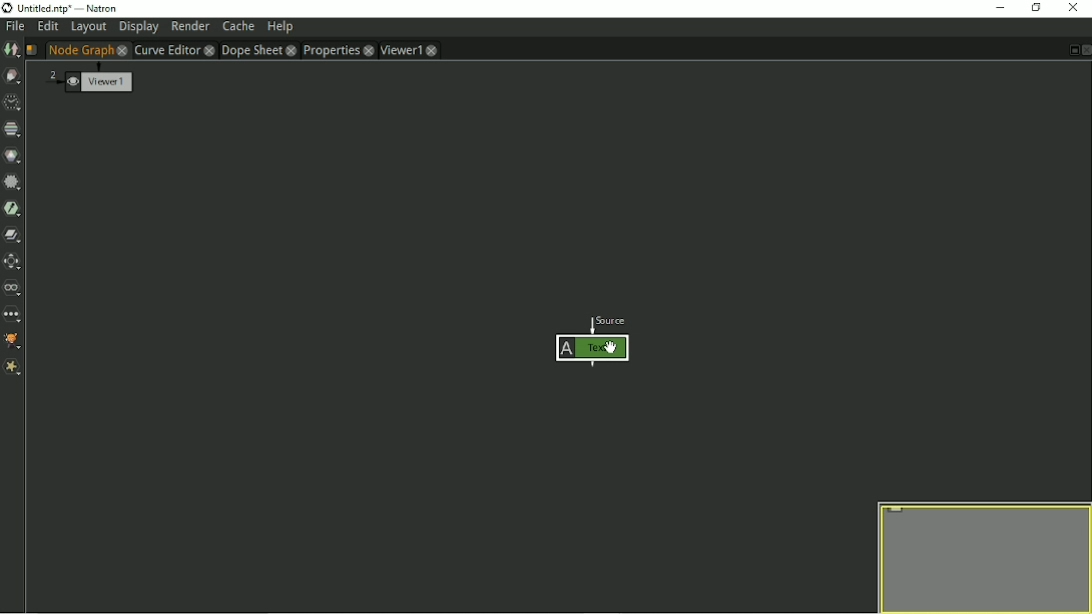 This screenshot has height=614, width=1092. What do you see at coordinates (979, 556) in the screenshot?
I see `Preview` at bounding box center [979, 556].